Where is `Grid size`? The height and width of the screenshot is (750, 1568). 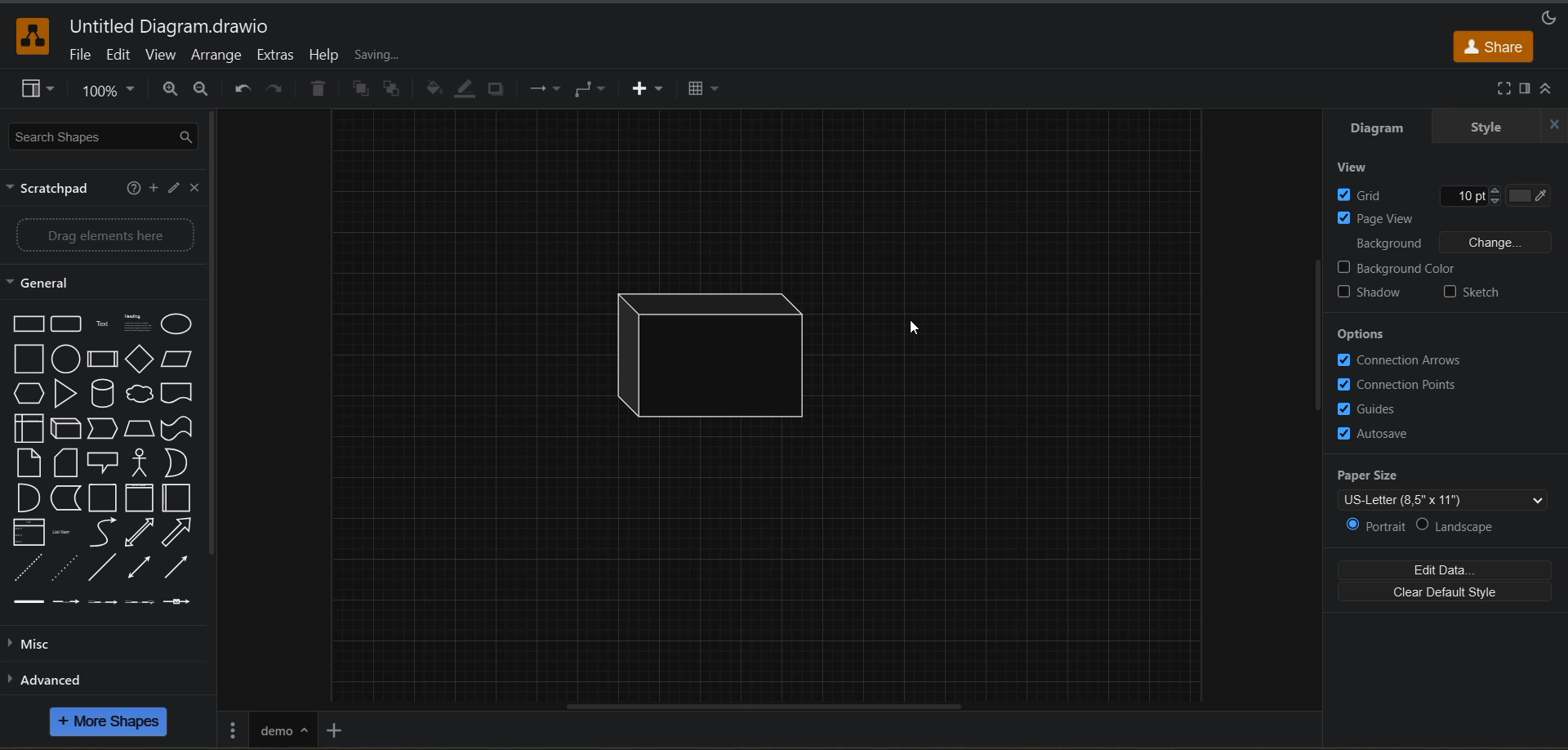
Grid size is located at coordinates (1450, 194).